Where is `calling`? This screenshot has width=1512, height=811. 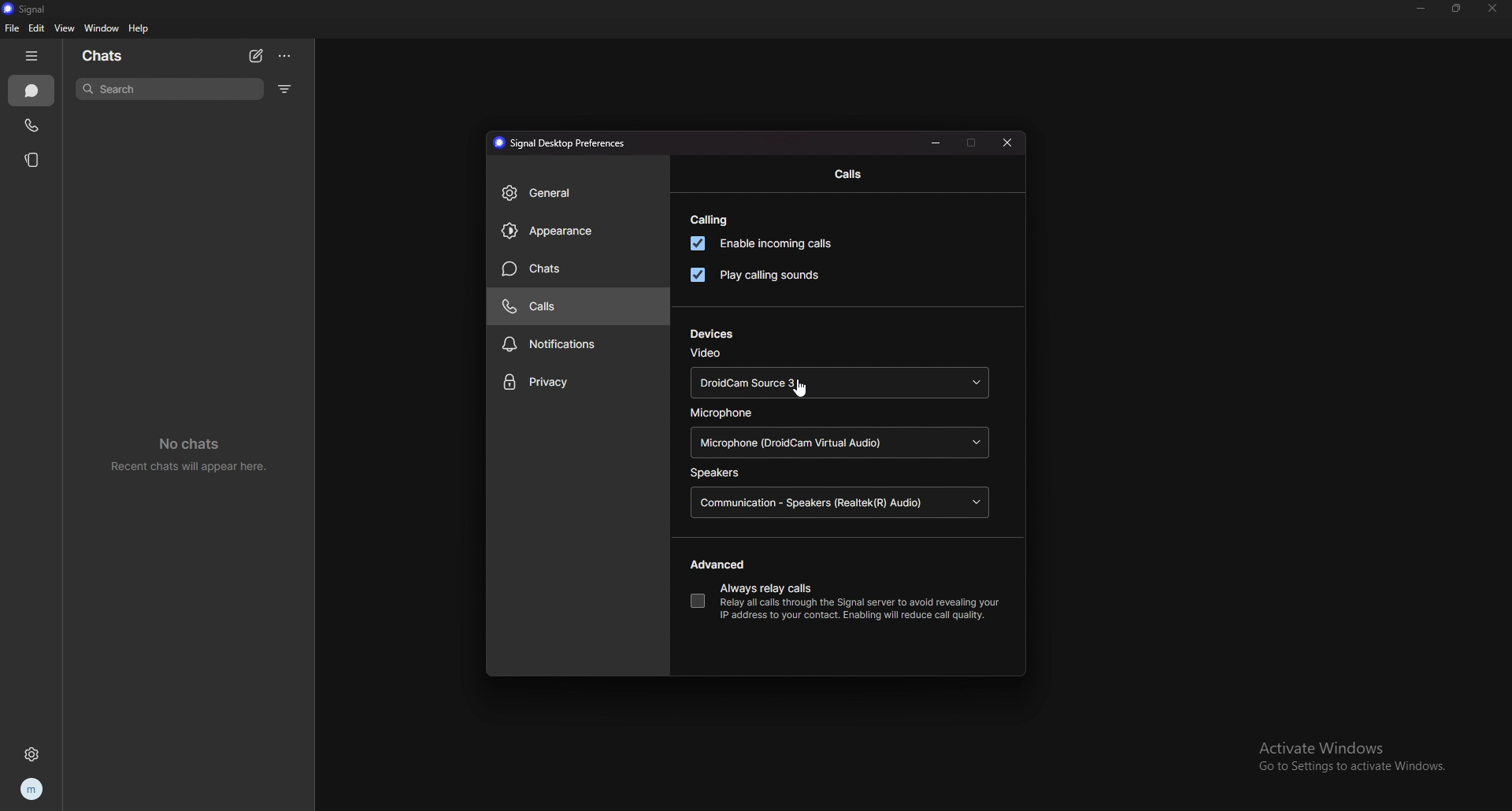 calling is located at coordinates (710, 220).